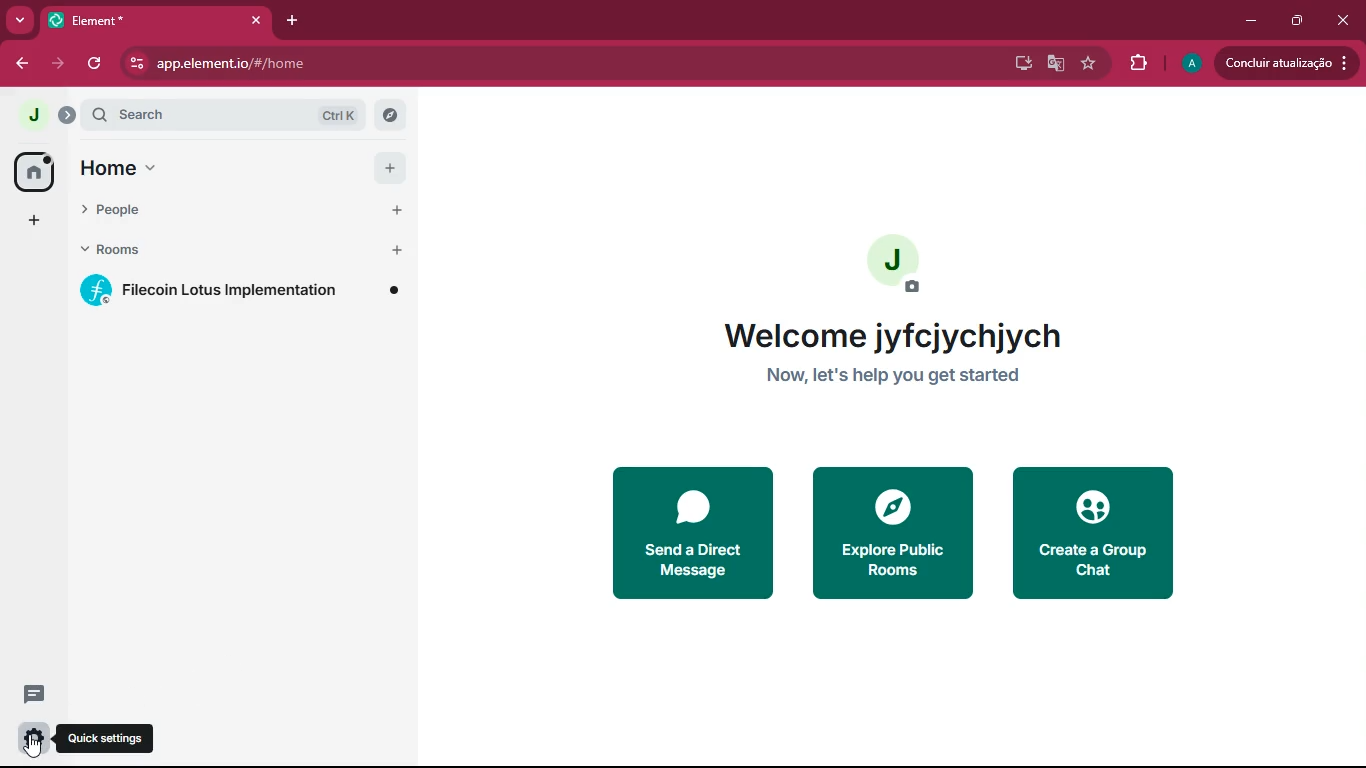  What do you see at coordinates (104, 739) in the screenshot?
I see `quick settings` at bounding box center [104, 739].